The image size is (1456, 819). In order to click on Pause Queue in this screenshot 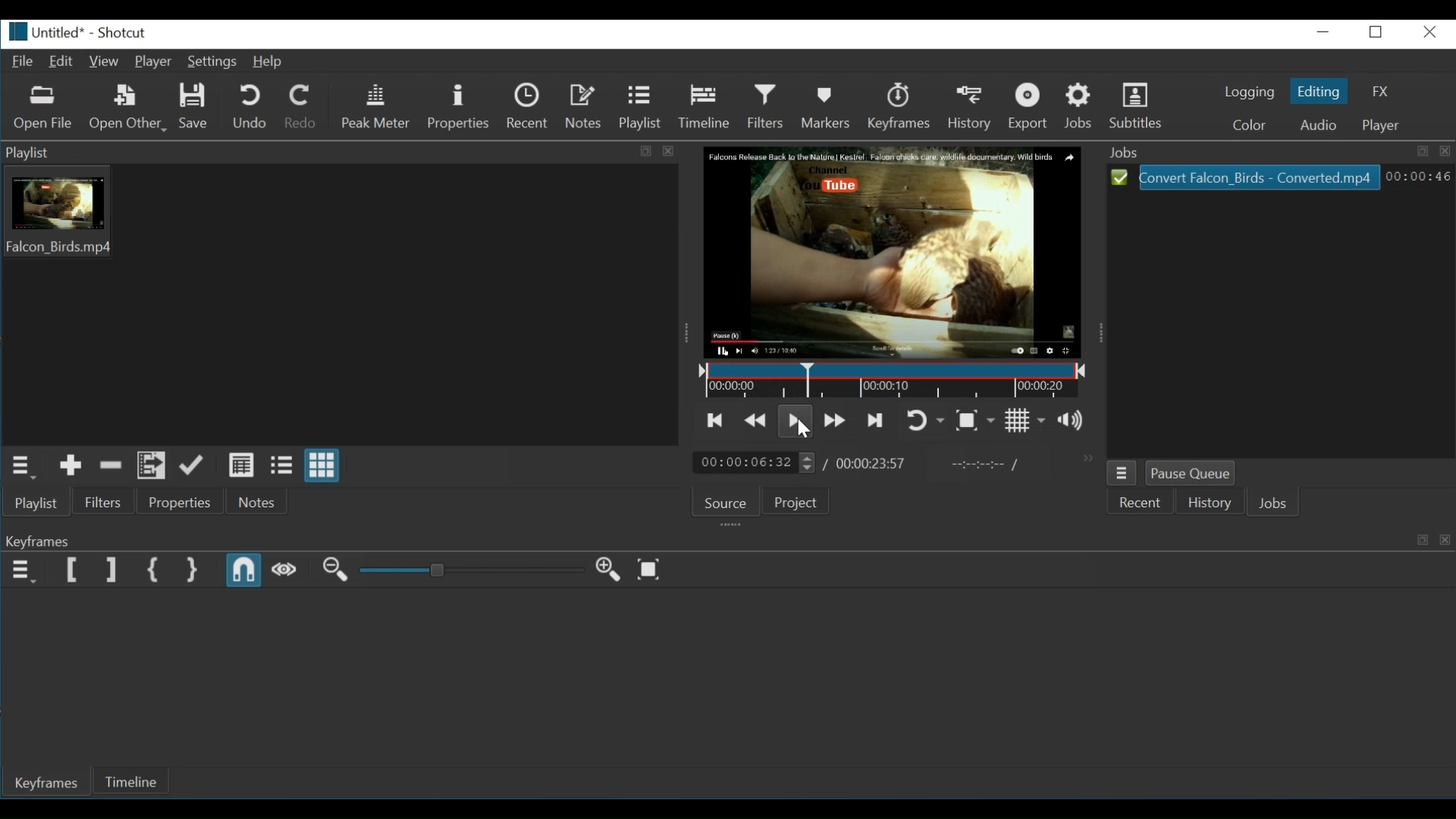, I will do `click(1195, 472)`.